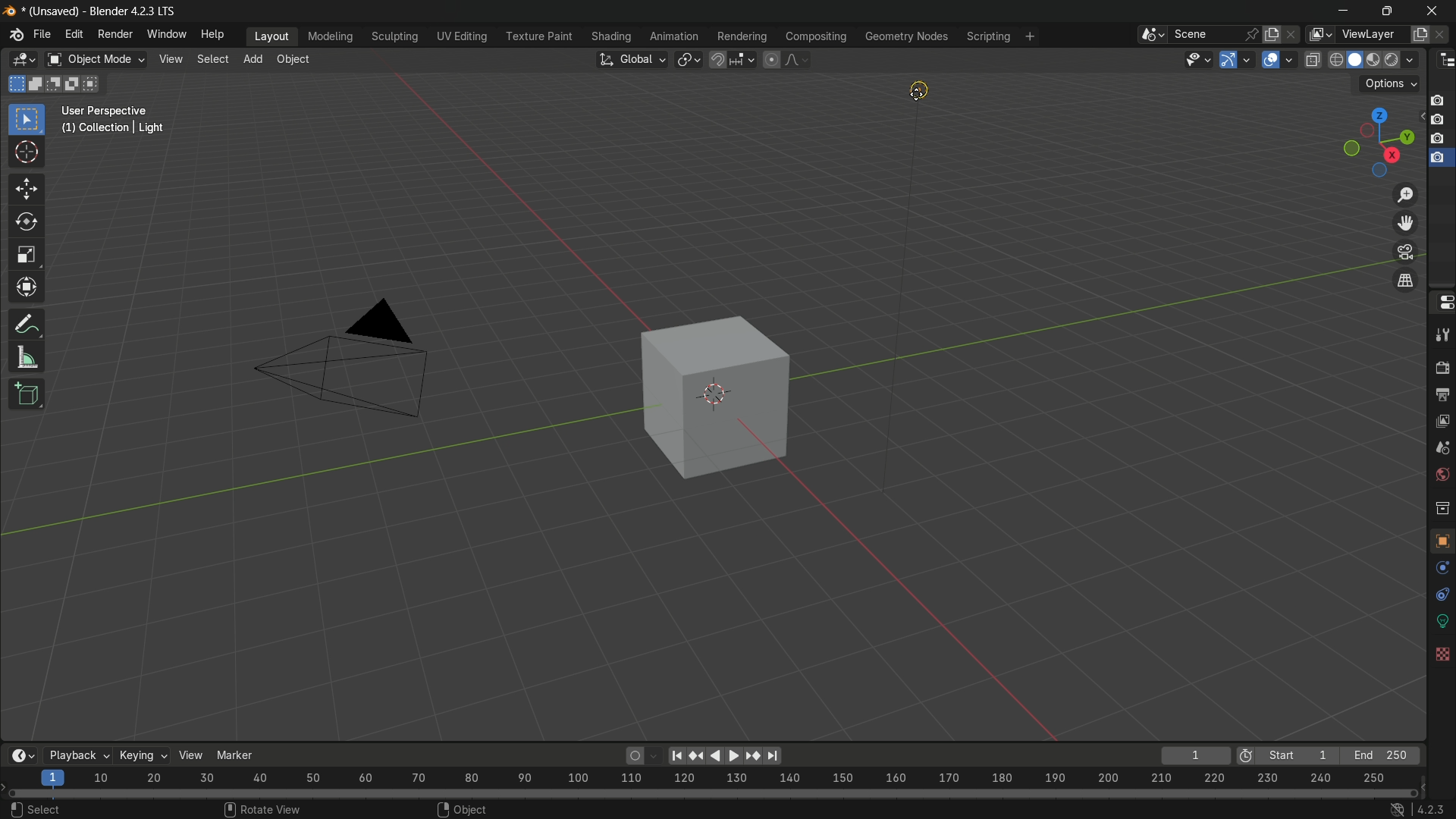 The width and height of the screenshot is (1456, 819). Describe the element at coordinates (1349, 13) in the screenshot. I see `minimize` at that location.